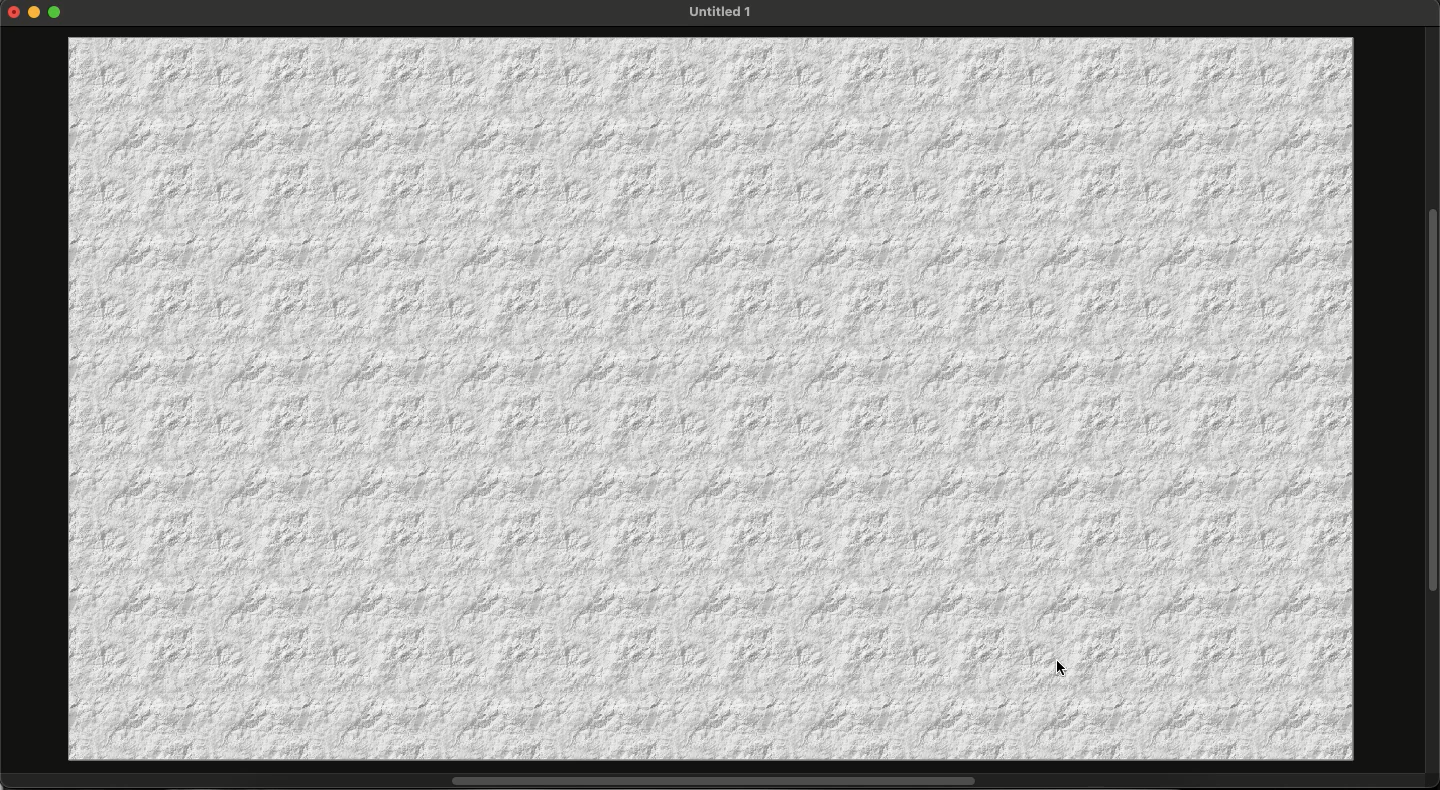 This screenshot has height=790, width=1440. Describe the element at coordinates (702, 782) in the screenshot. I see `Horizontal Scroll bar` at that location.